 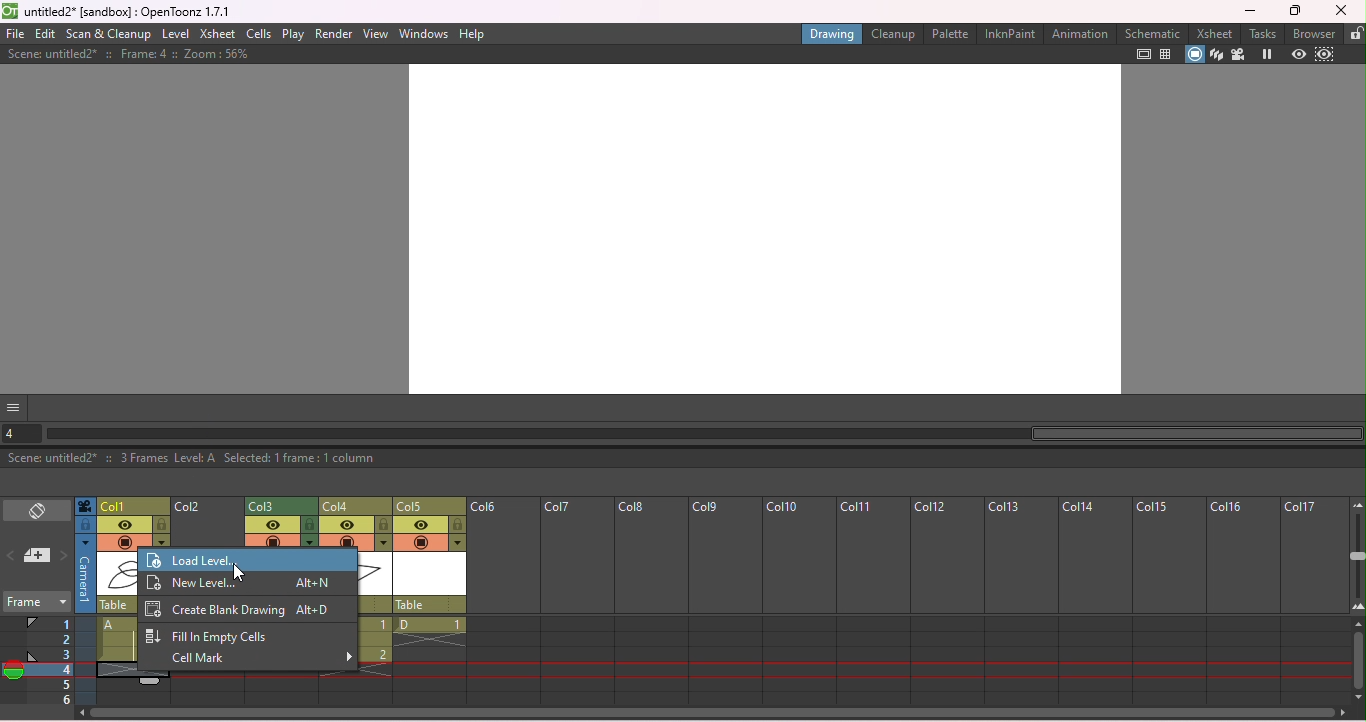 What do you see at coordinates (424, 32) in the screenshot?
I see `Windows` at bounding box center [424, 32].